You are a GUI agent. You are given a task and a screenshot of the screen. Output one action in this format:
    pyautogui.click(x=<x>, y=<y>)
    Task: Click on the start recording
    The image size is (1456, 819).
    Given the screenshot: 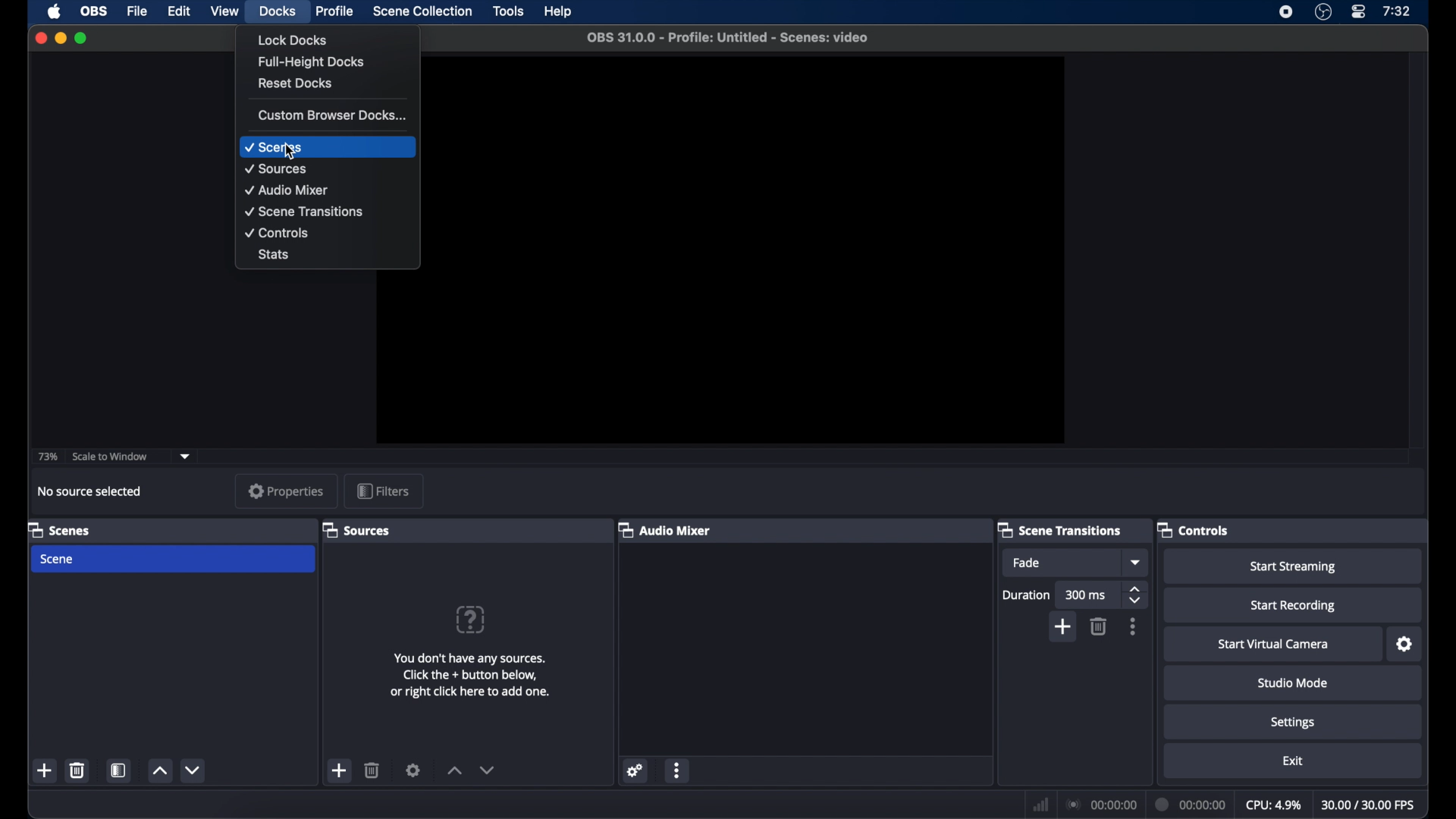 What is the action you would take?
    pyautogui.click(x=1293, y=606)
    